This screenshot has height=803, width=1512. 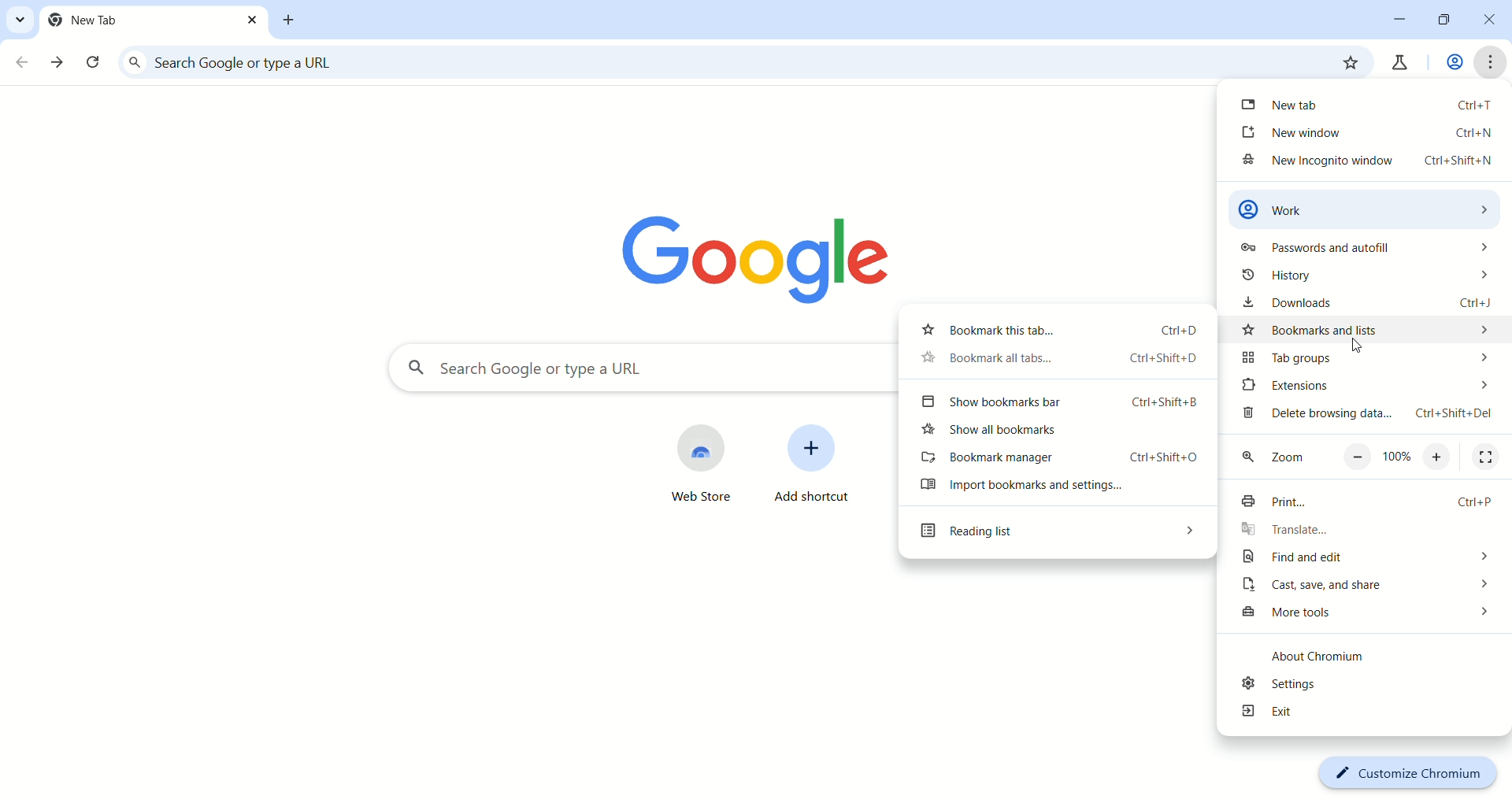 I want to click on password and autofill, so click(x=1362, y=250).